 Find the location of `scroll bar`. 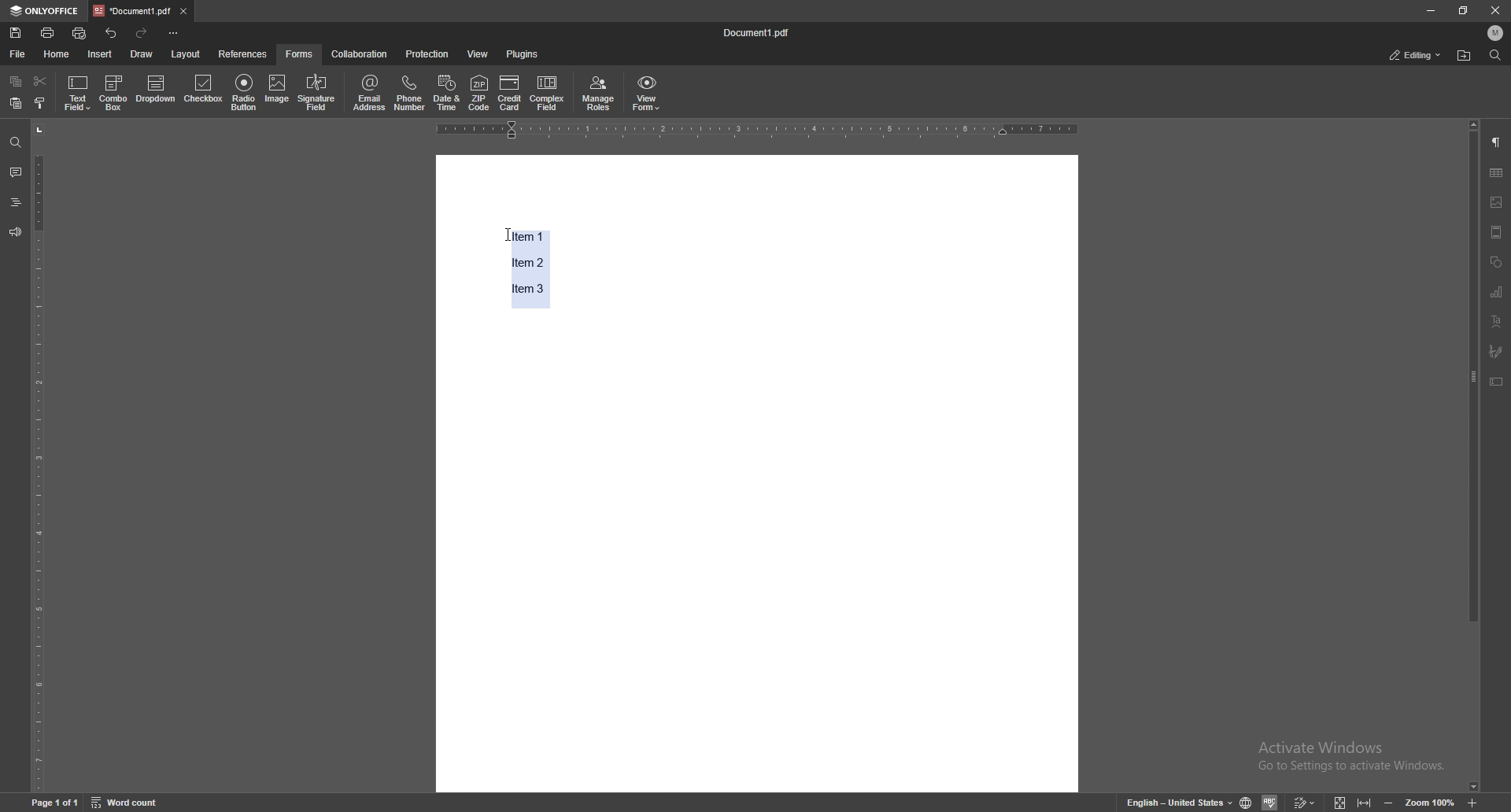

scroll bar is located at coordinates (1473, 456).